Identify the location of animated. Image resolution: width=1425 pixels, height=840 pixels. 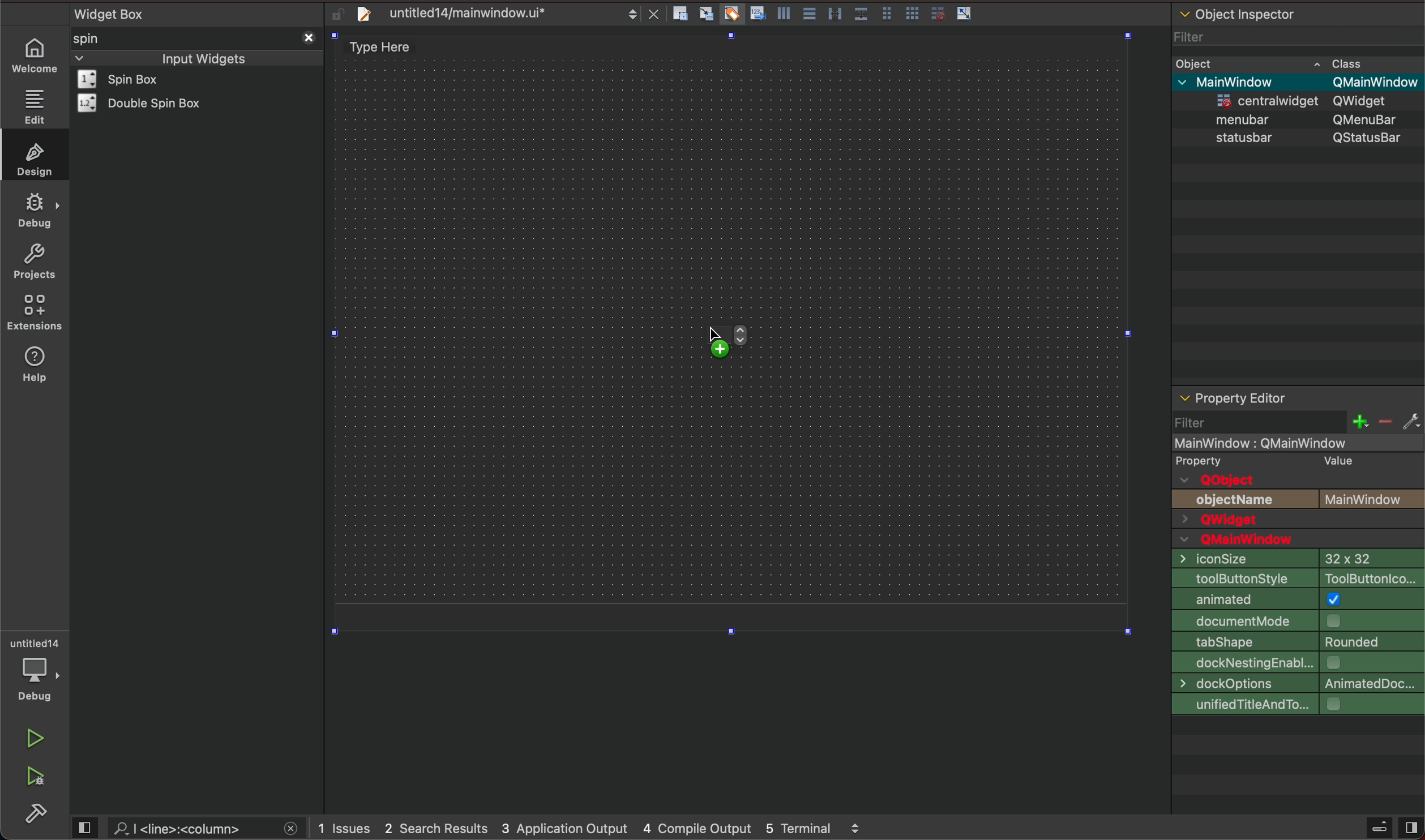
(1298, 599).